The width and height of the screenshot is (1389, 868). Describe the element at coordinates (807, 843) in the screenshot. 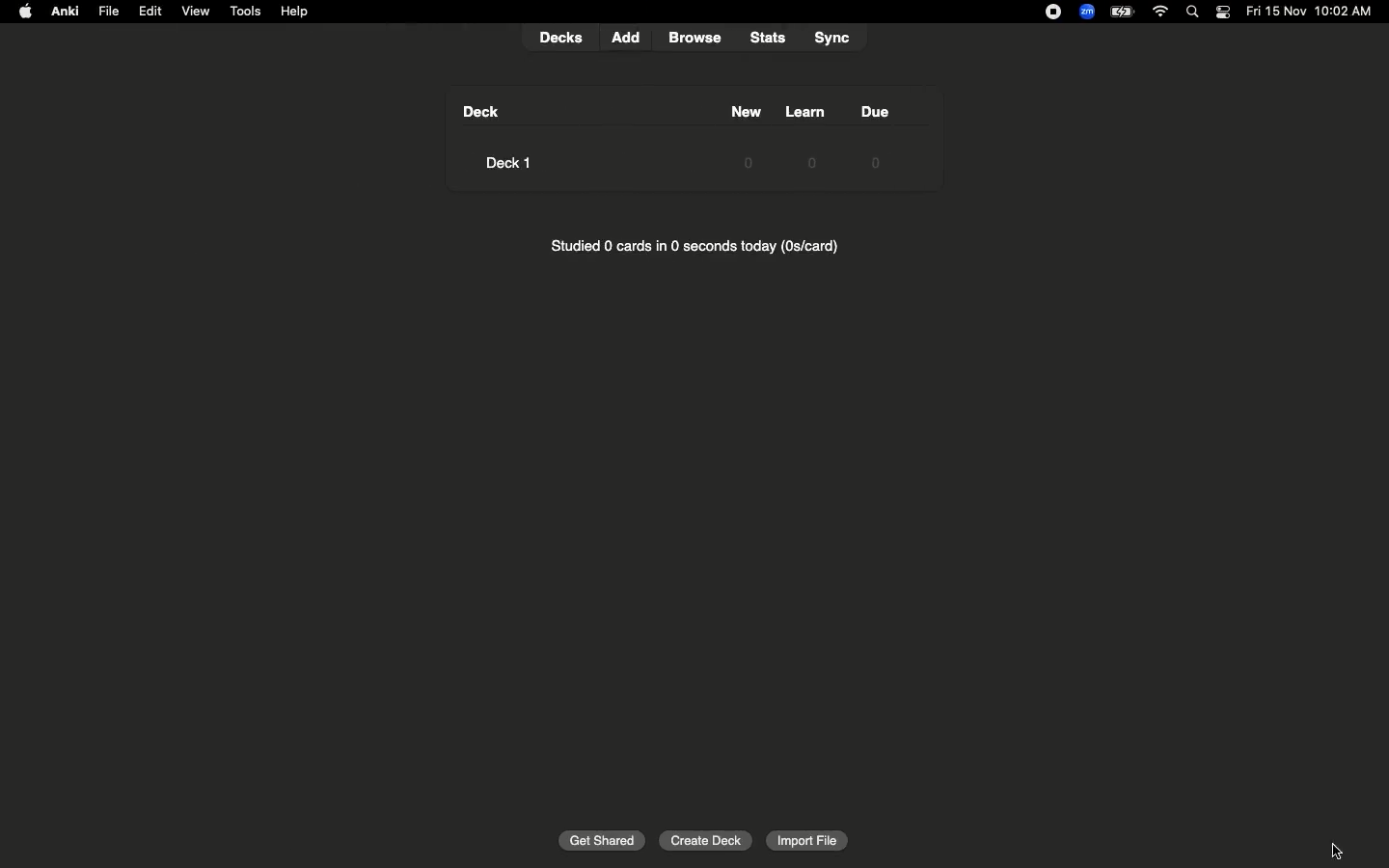

I see `Import File` at that location.